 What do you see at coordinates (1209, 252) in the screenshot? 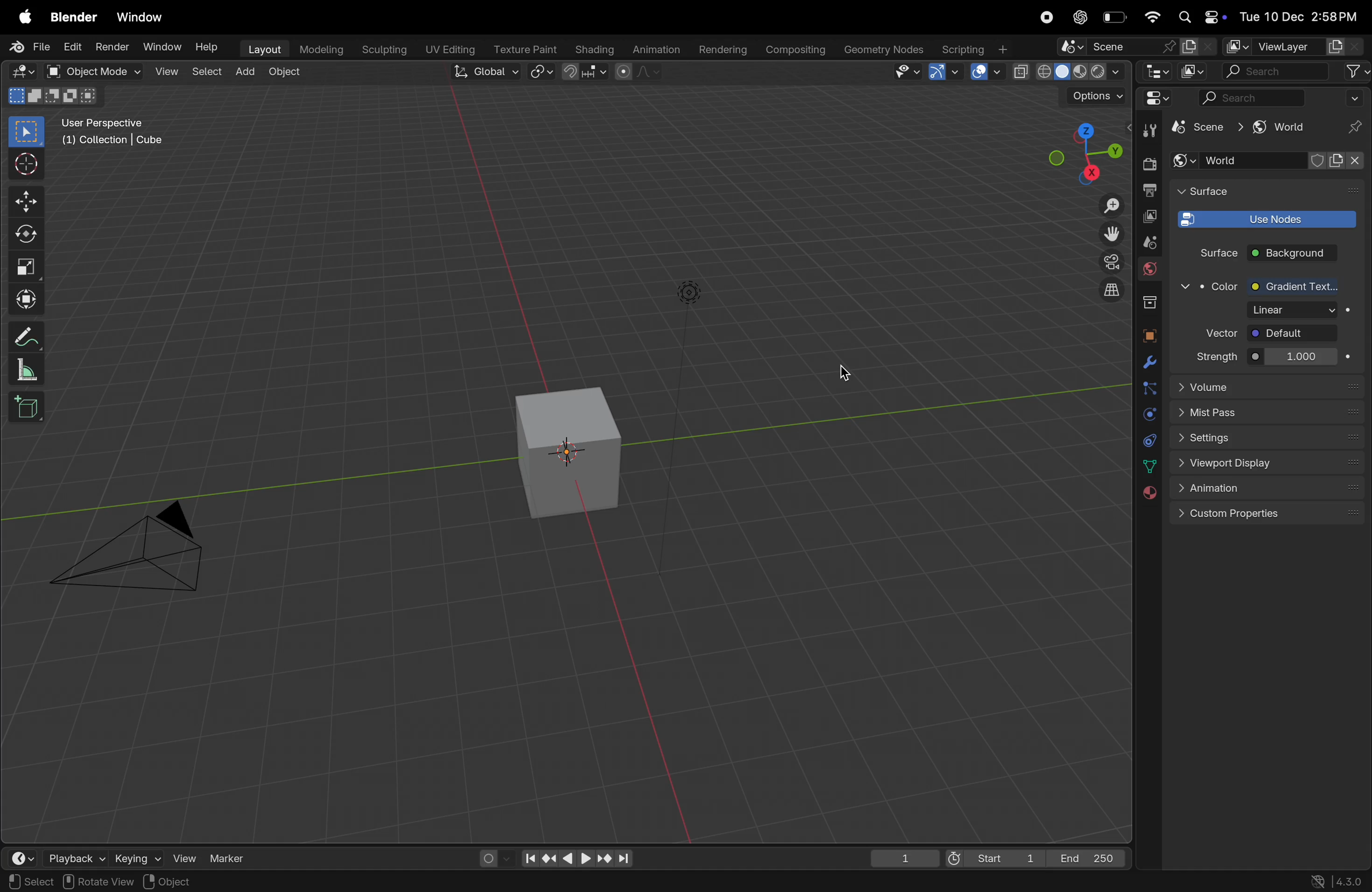
I see `Surface` at bounding box center [1209, 252].